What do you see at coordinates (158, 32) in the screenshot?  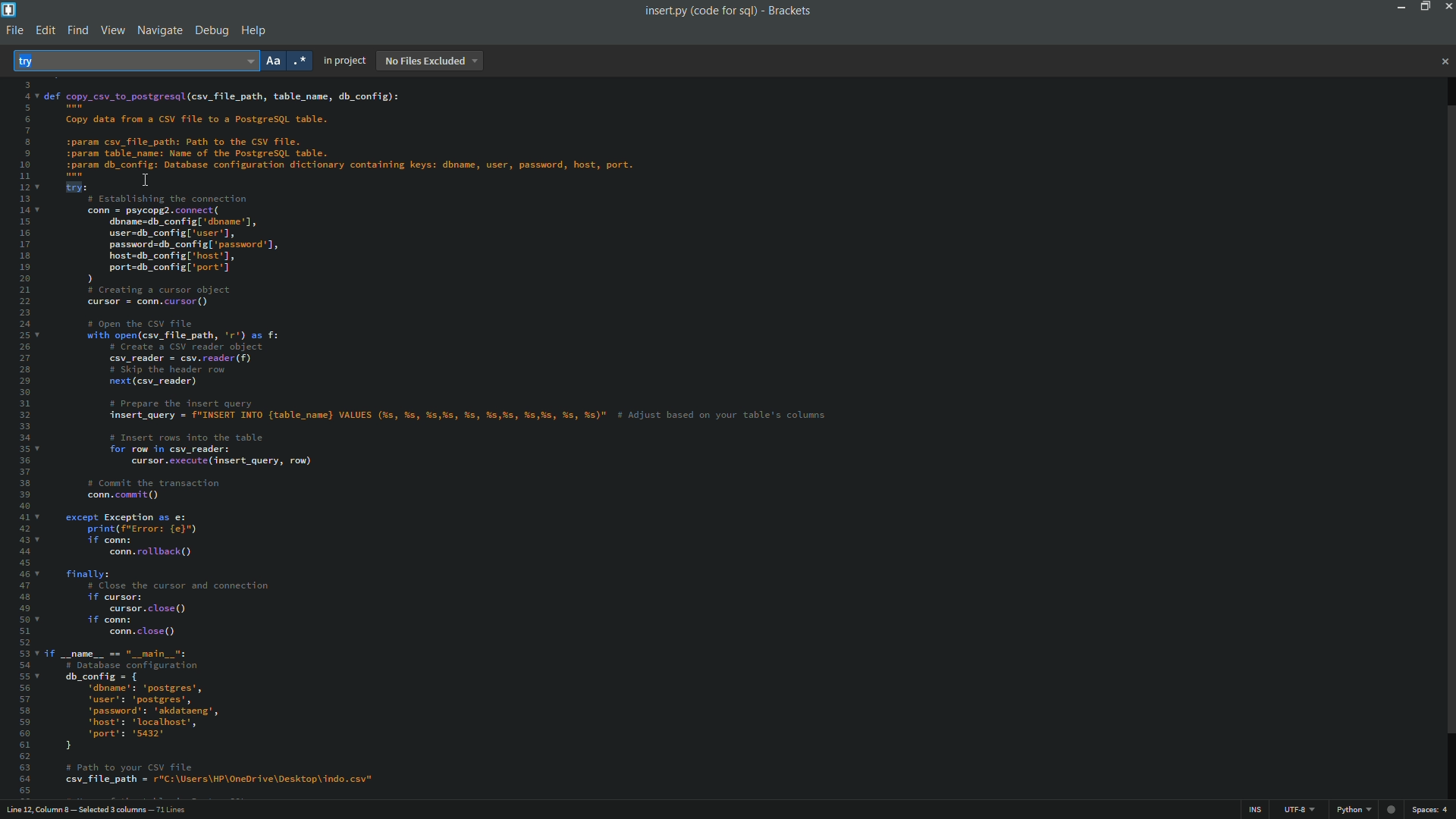 I see `navigate menu` at bounding box center [158, 32].